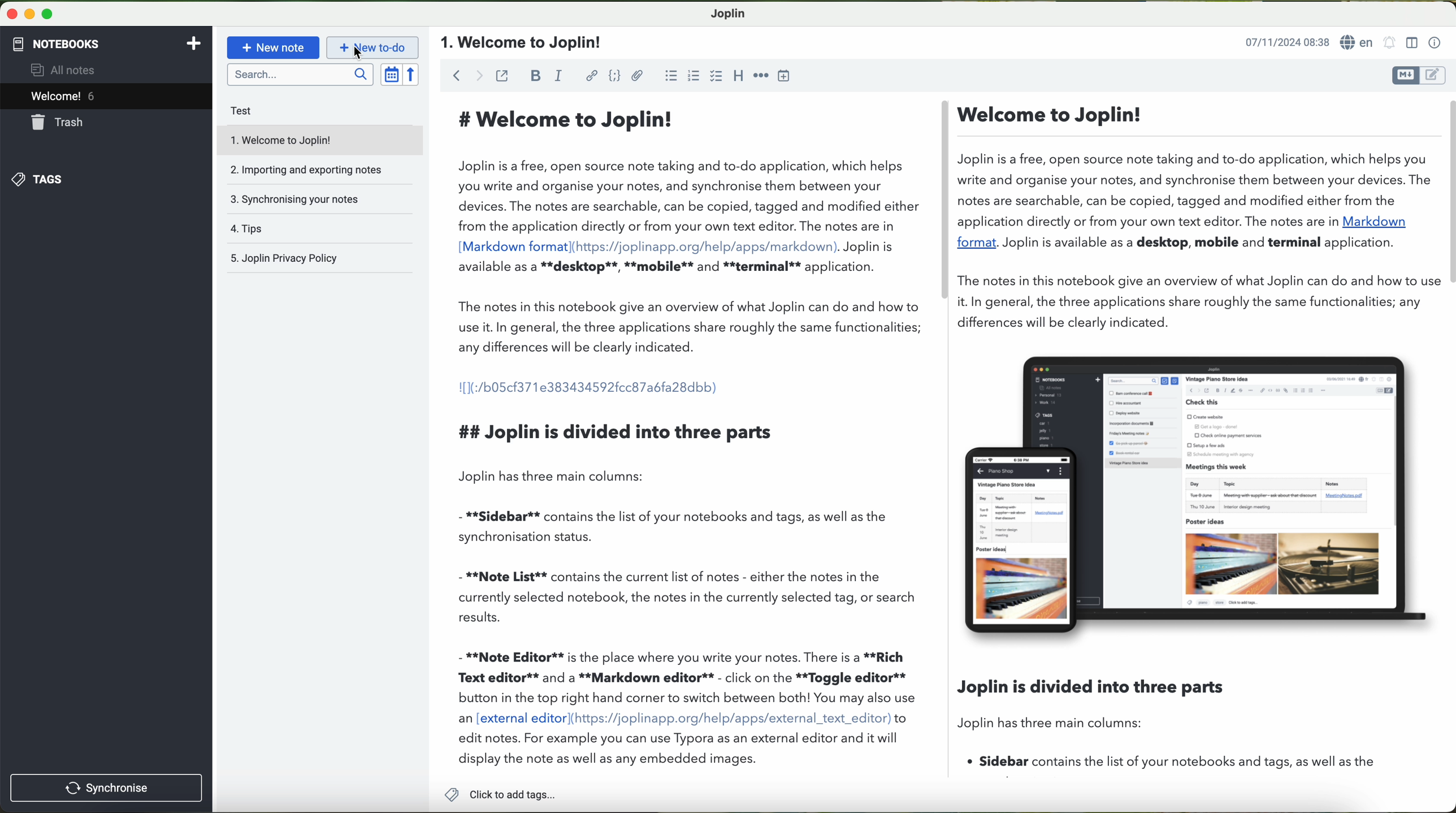 The height and width of the screenshot is (813, 1456). Describe the element at coordinates (738, 77) in the screenshot. I see `heading` at that location.